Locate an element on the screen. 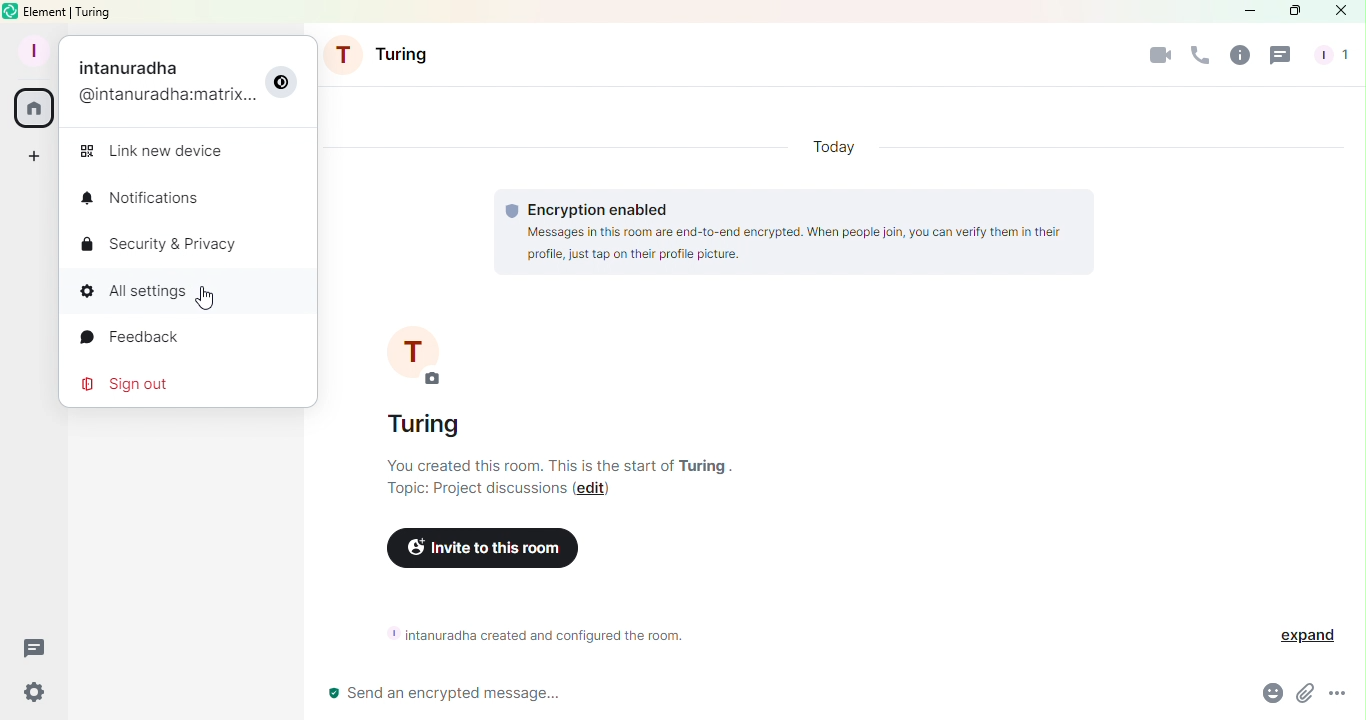 The image size is (1366, 720). All settings is located at coordinates (173, 289).